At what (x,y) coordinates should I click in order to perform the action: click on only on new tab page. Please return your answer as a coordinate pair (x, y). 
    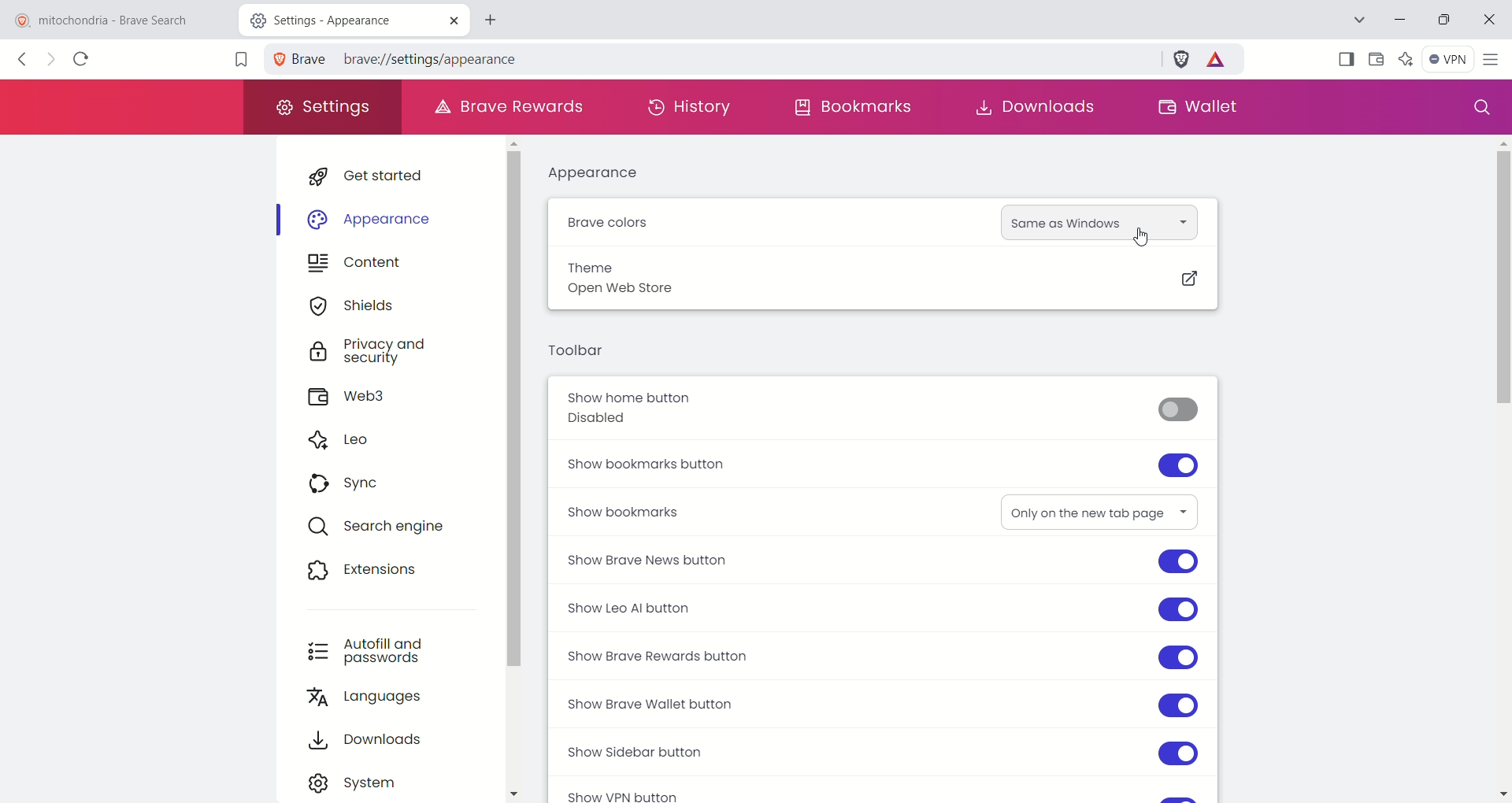
    Looking at the image, I should click on (1088, 508).